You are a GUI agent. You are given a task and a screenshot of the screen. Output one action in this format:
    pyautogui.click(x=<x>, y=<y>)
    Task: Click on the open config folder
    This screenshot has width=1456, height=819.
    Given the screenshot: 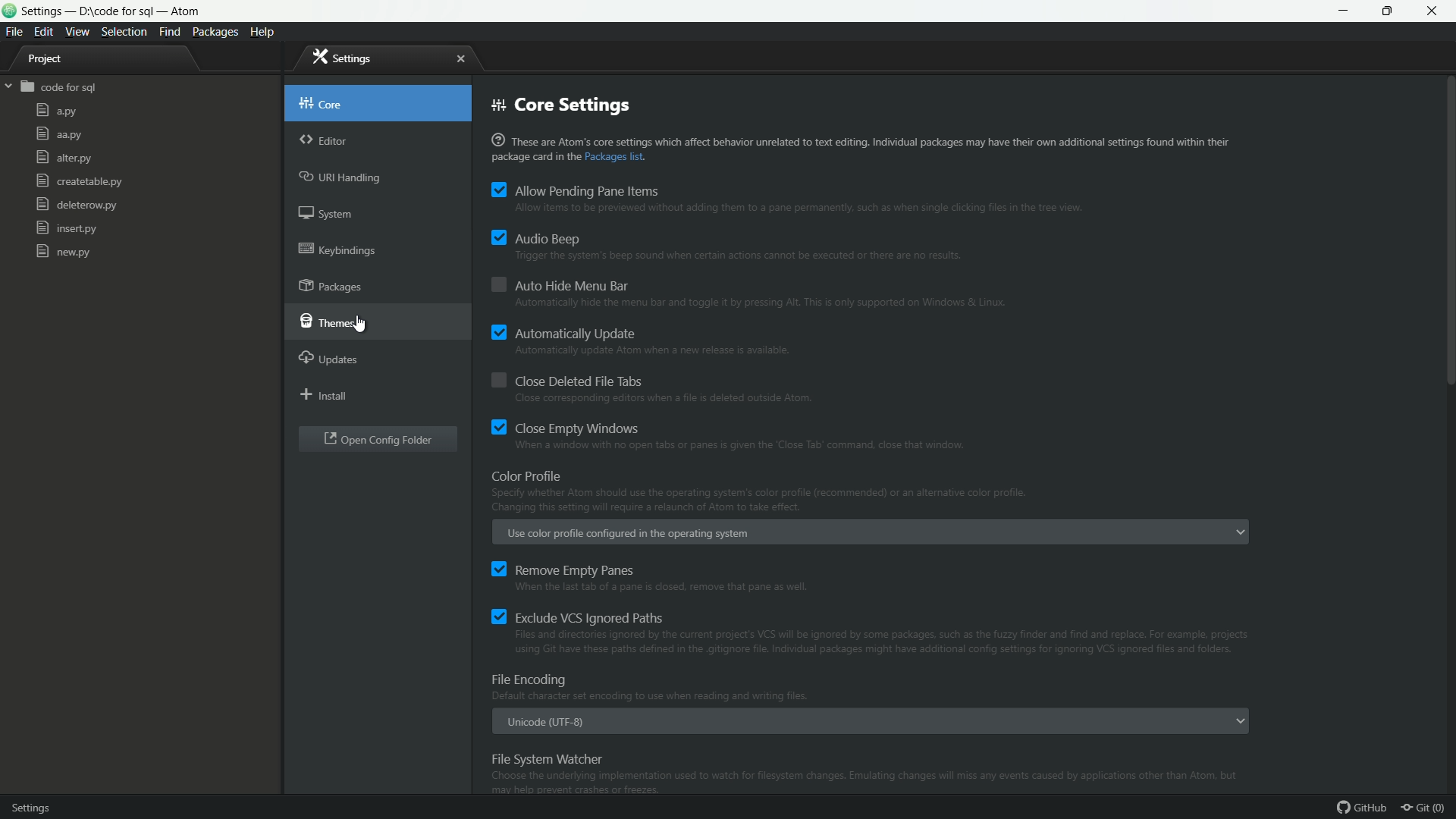 What is the action you would take?
    pyautogui.click(x=378, y=441)
    